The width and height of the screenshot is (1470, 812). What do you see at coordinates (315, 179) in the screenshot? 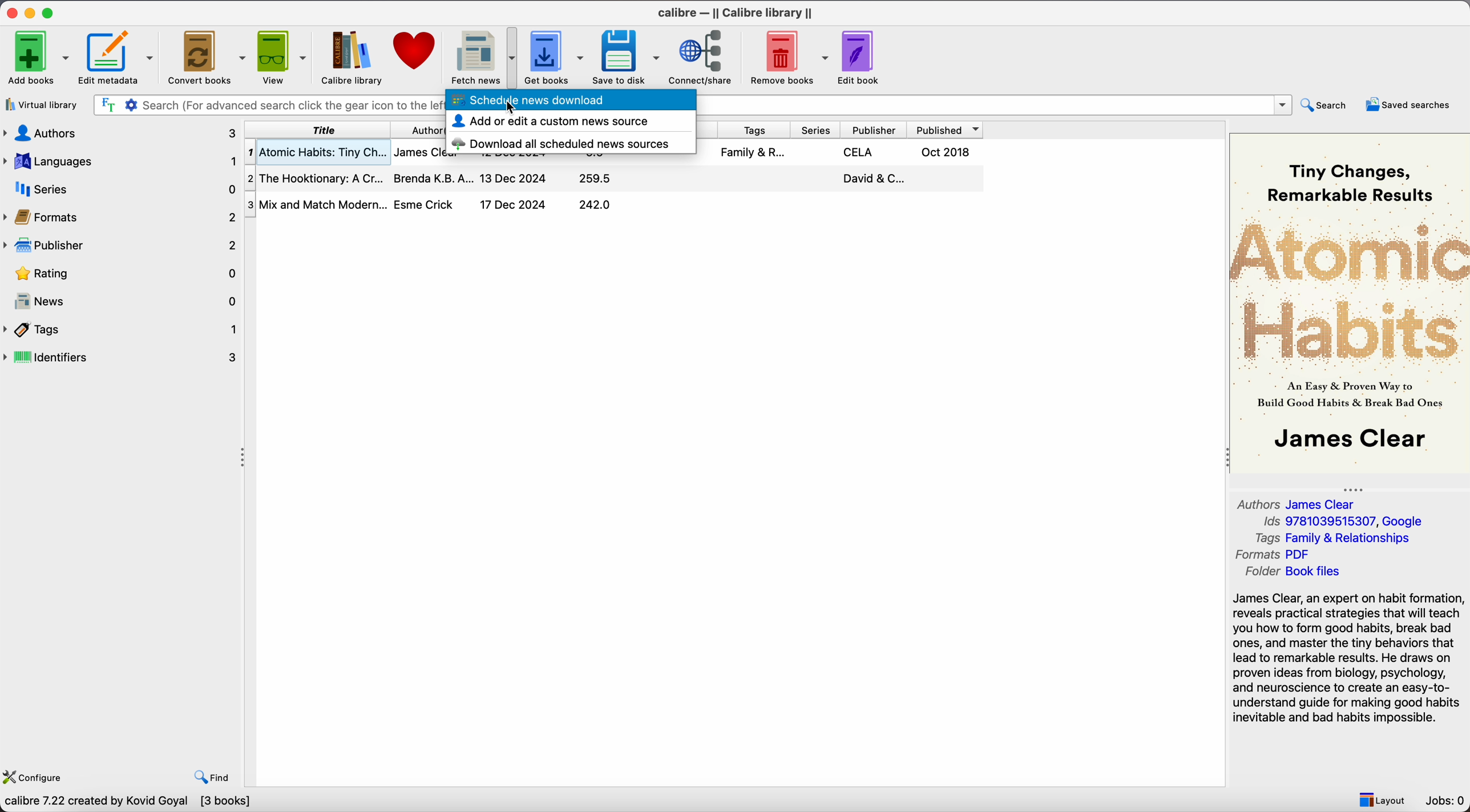
I see `The Hooktionary: A Cr...` at bounding box center [315, 179].